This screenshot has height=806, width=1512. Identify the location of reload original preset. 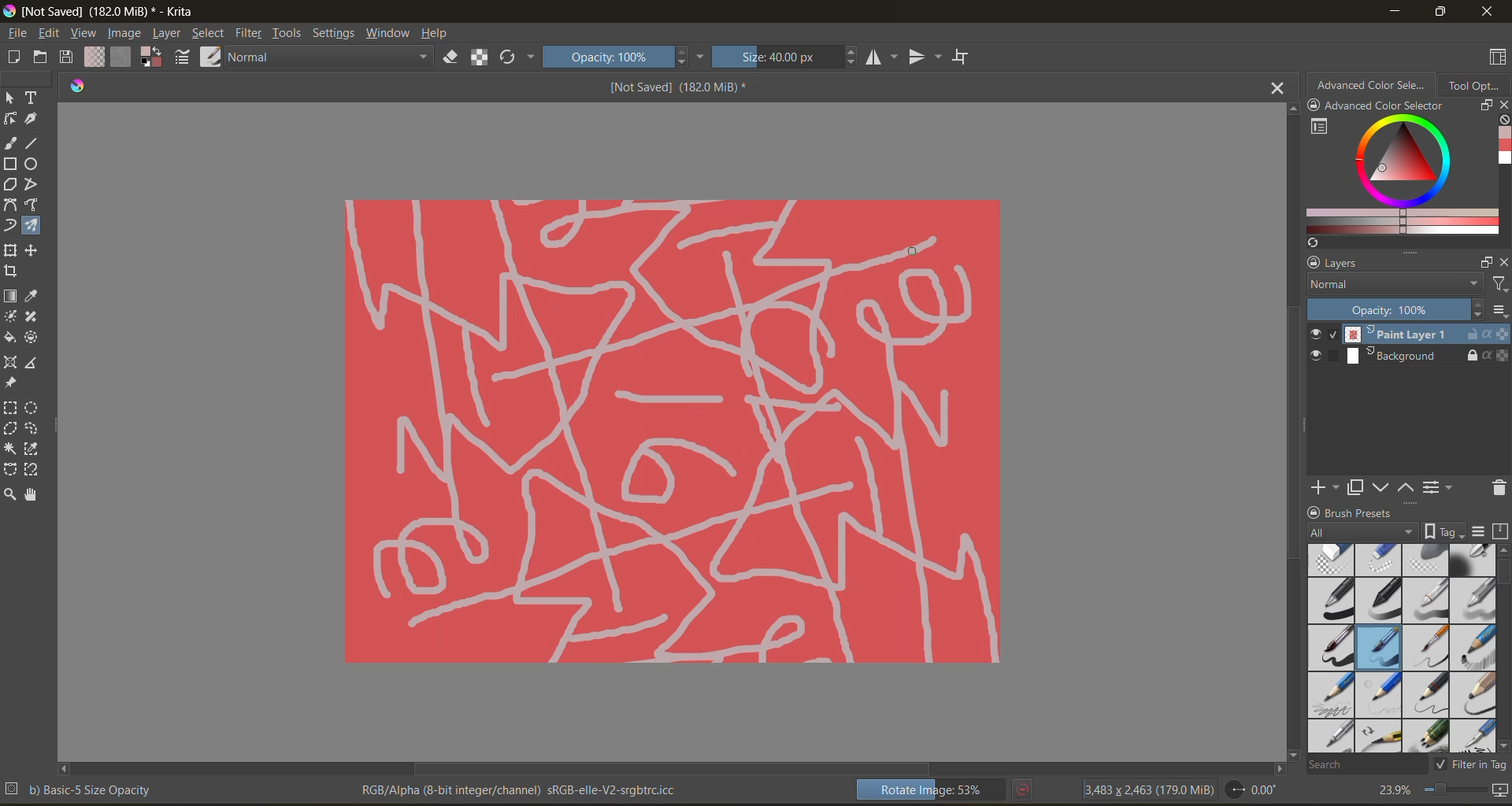
(511, 54).